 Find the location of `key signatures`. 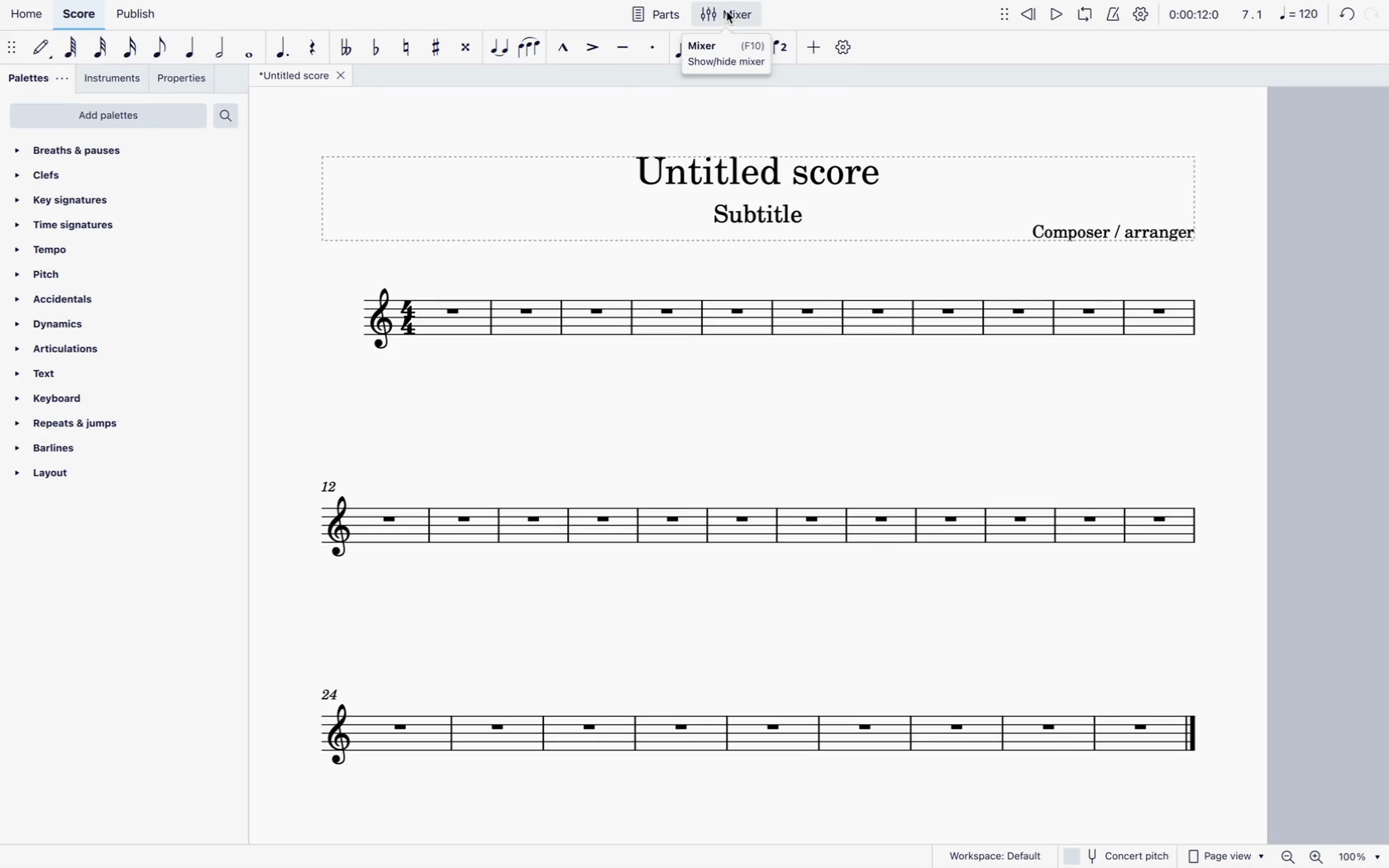

key signatures is located at coordinates (109, 197).